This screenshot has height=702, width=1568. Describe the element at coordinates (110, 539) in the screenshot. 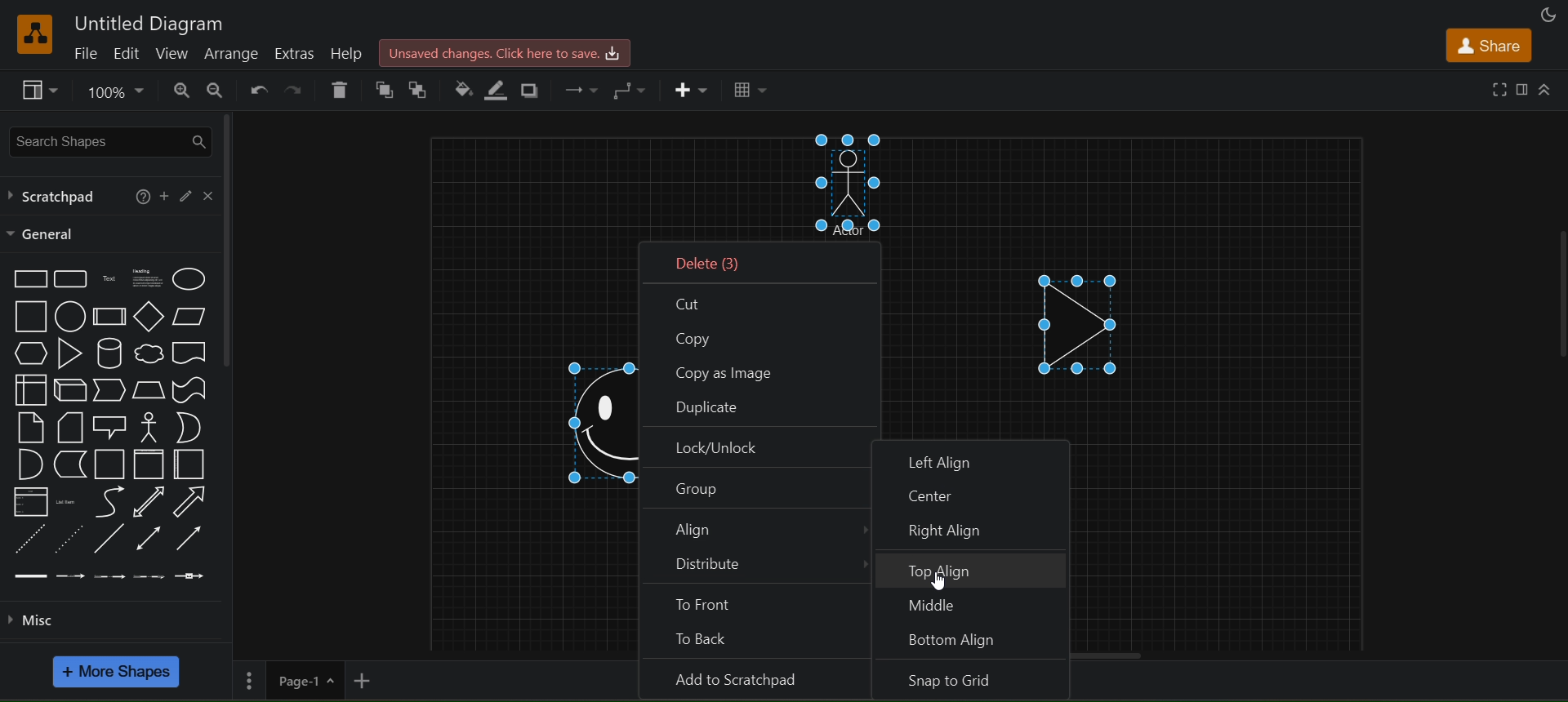

I see `line` at that location.